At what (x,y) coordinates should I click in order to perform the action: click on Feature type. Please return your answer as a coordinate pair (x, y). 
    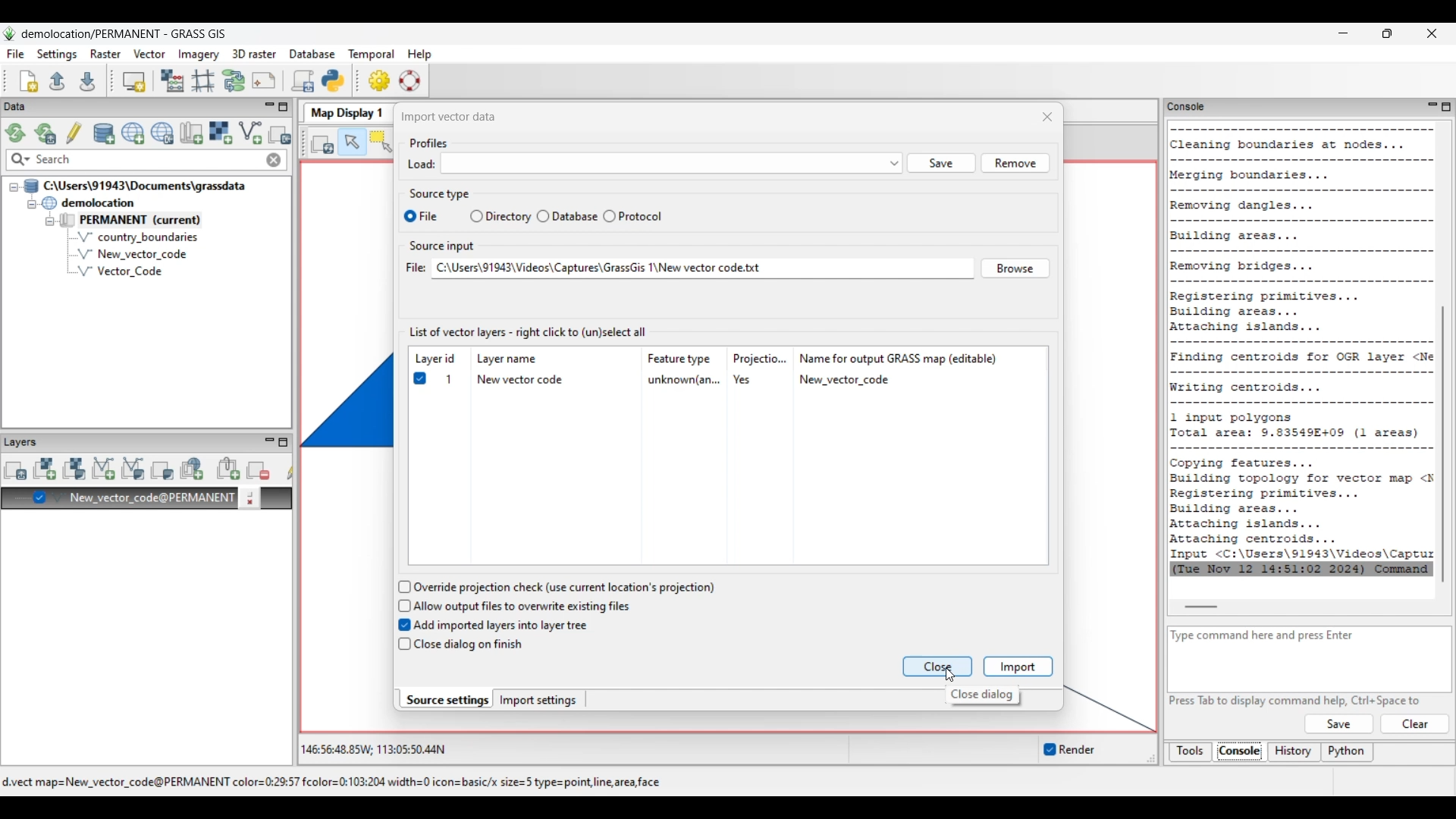
    Looking at the image, I should click on (682, 358).